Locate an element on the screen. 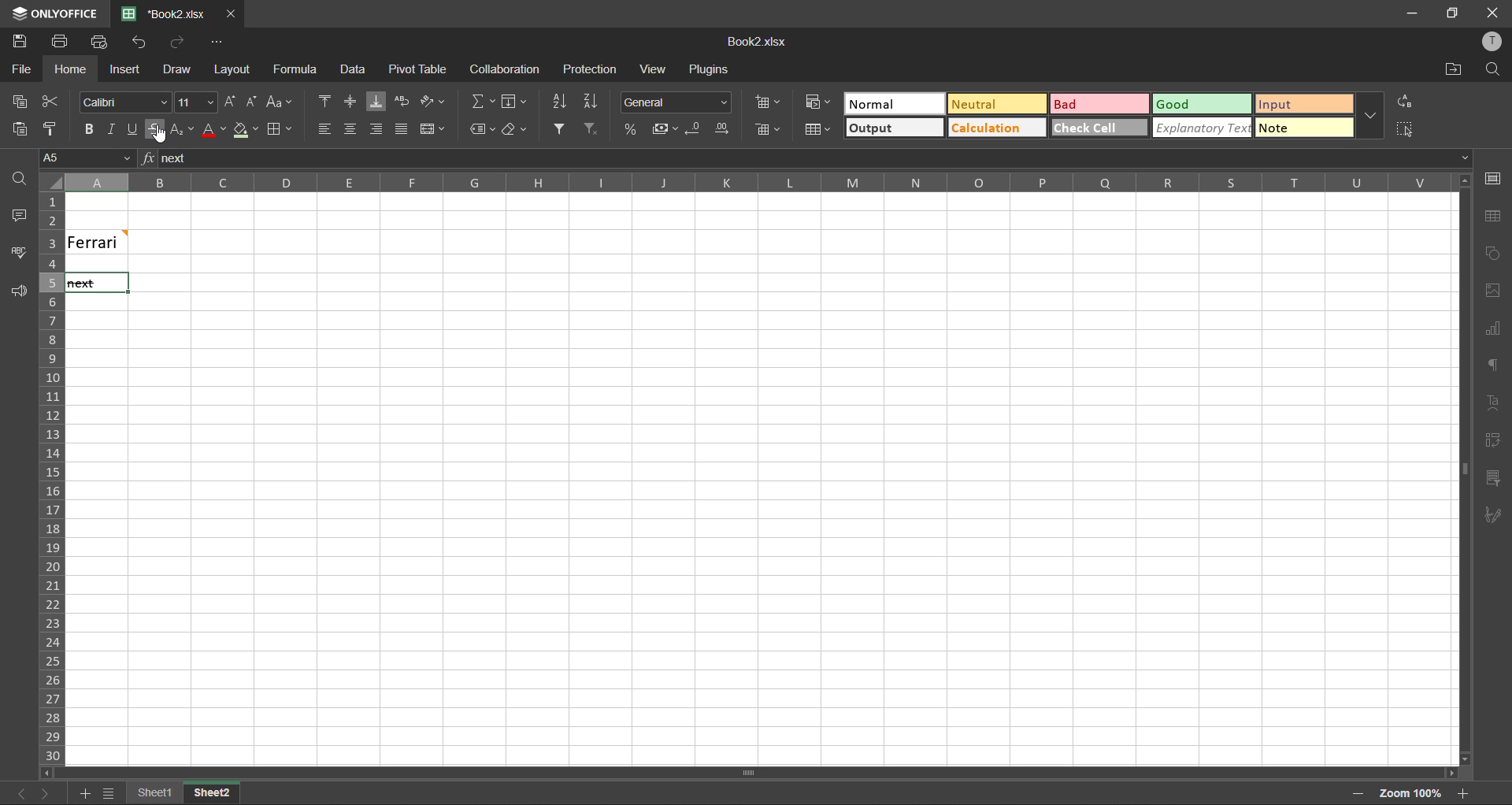  sort descending is located at coordinates (597, 102).